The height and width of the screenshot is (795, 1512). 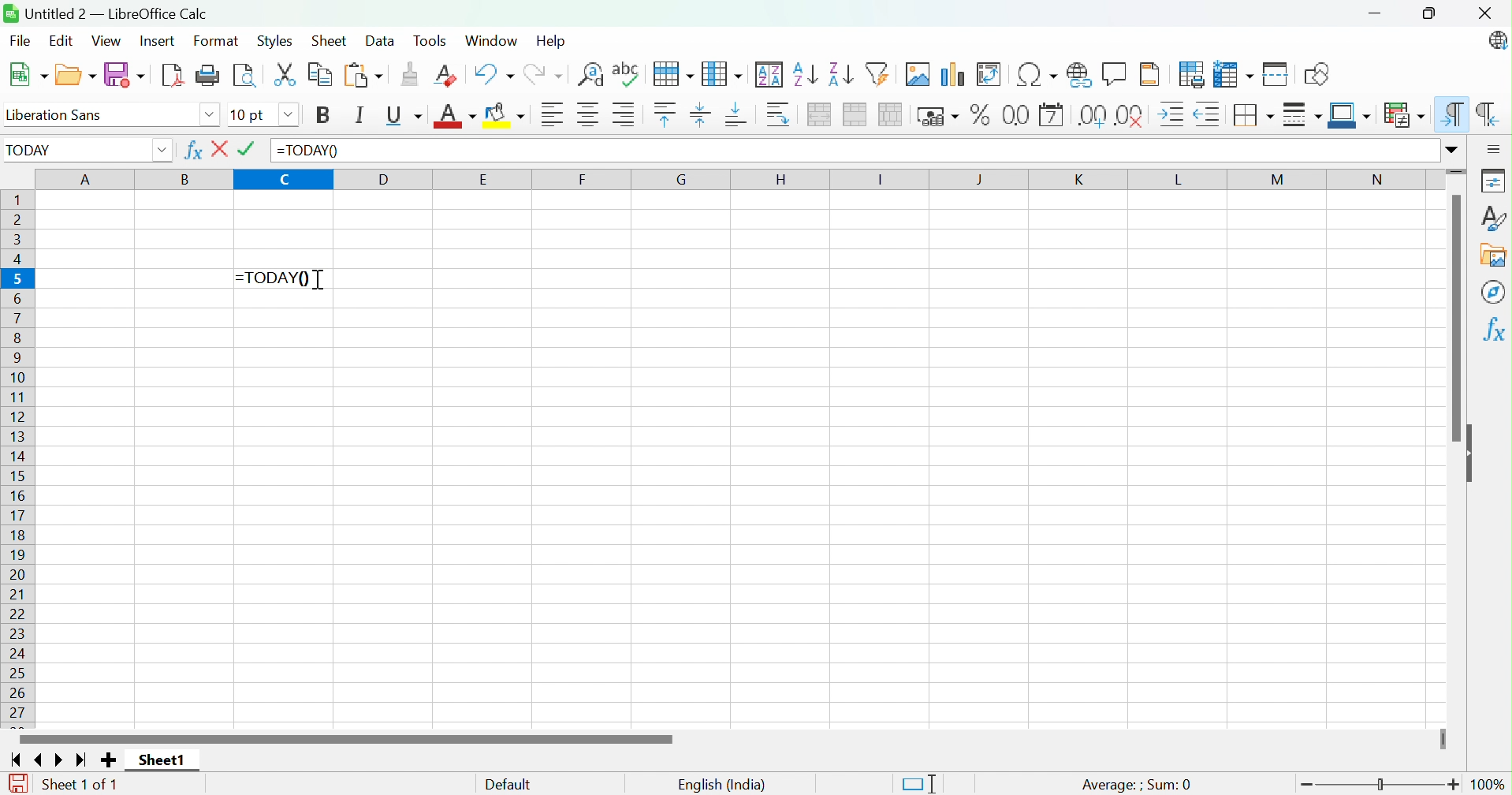 What do you see at coordinates (80, 785) in the screenshot?
I see `Sheet 1 of 1` at bounding box center [80, 785].